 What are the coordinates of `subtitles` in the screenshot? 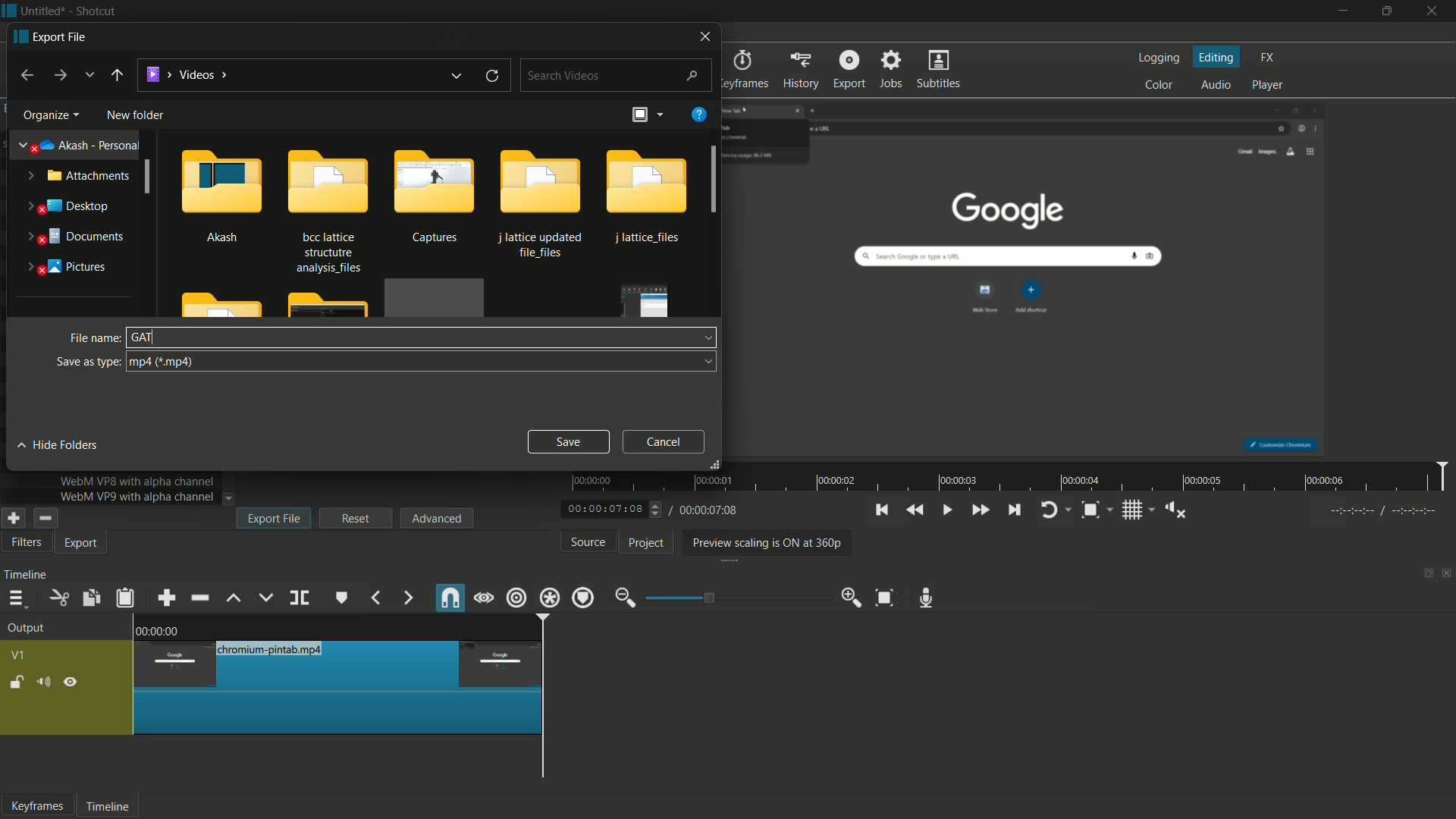 It's located at (940, 68).